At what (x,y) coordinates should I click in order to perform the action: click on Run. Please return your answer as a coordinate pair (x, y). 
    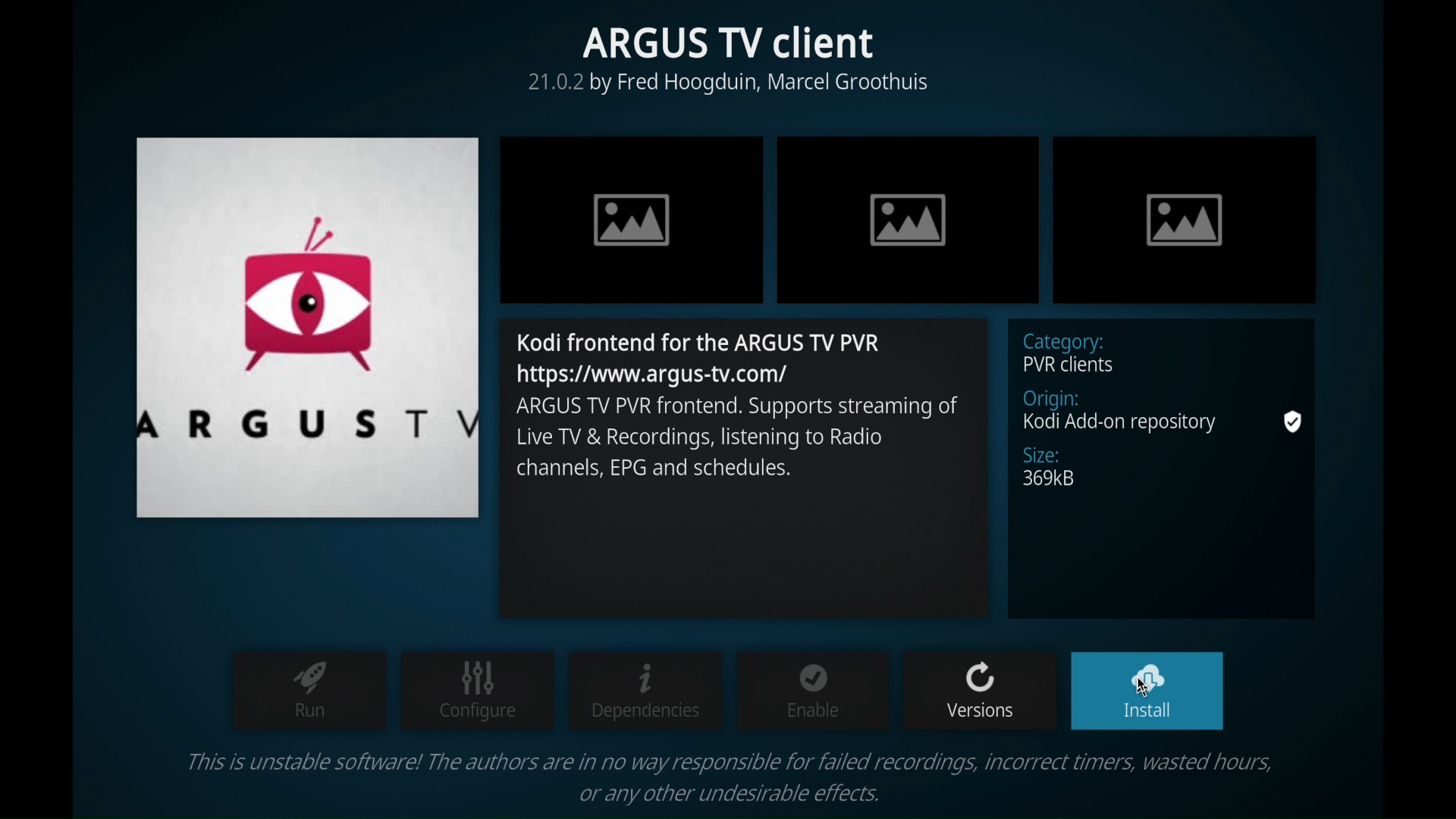
    Looking at the image, I should click on (306, 695).